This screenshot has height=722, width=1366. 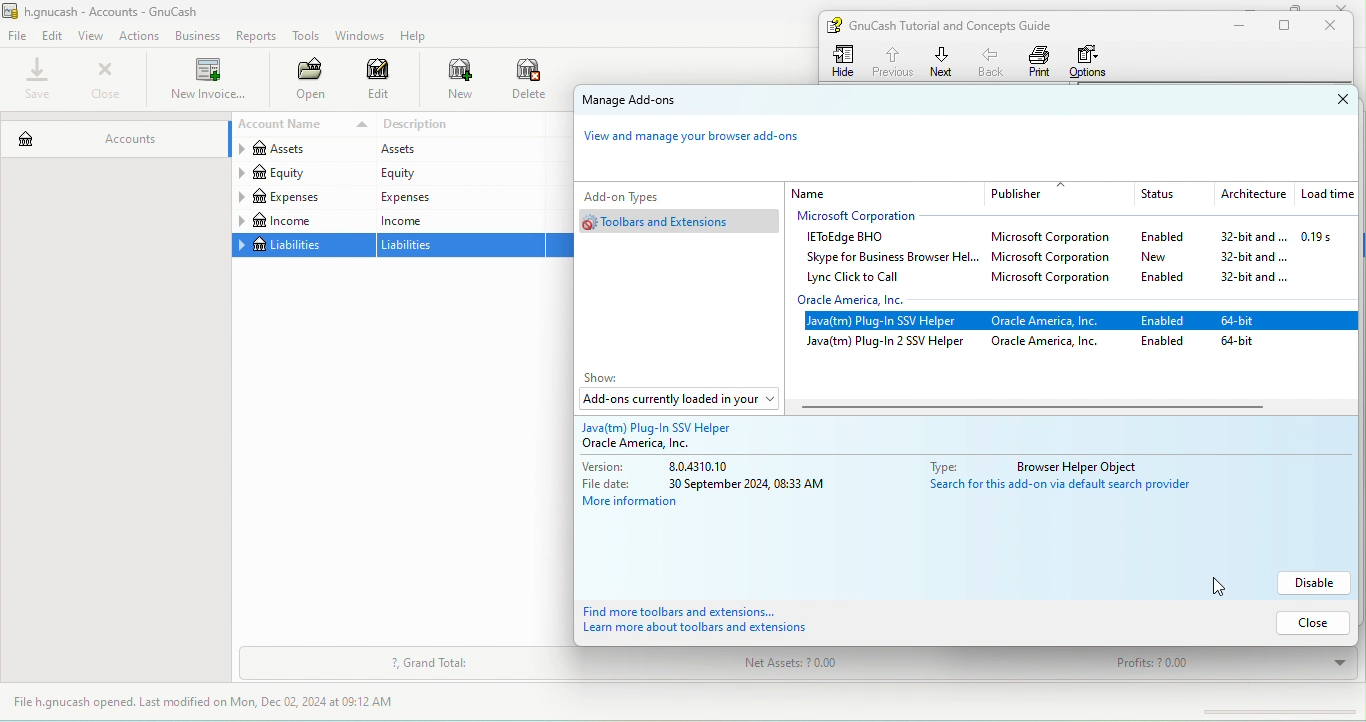 What do you see at coordinates (719, 621) in the screenshot?
I see `find more toolbars and extensions learn more about toolbars and extensions` at bounding box center [719, 621].